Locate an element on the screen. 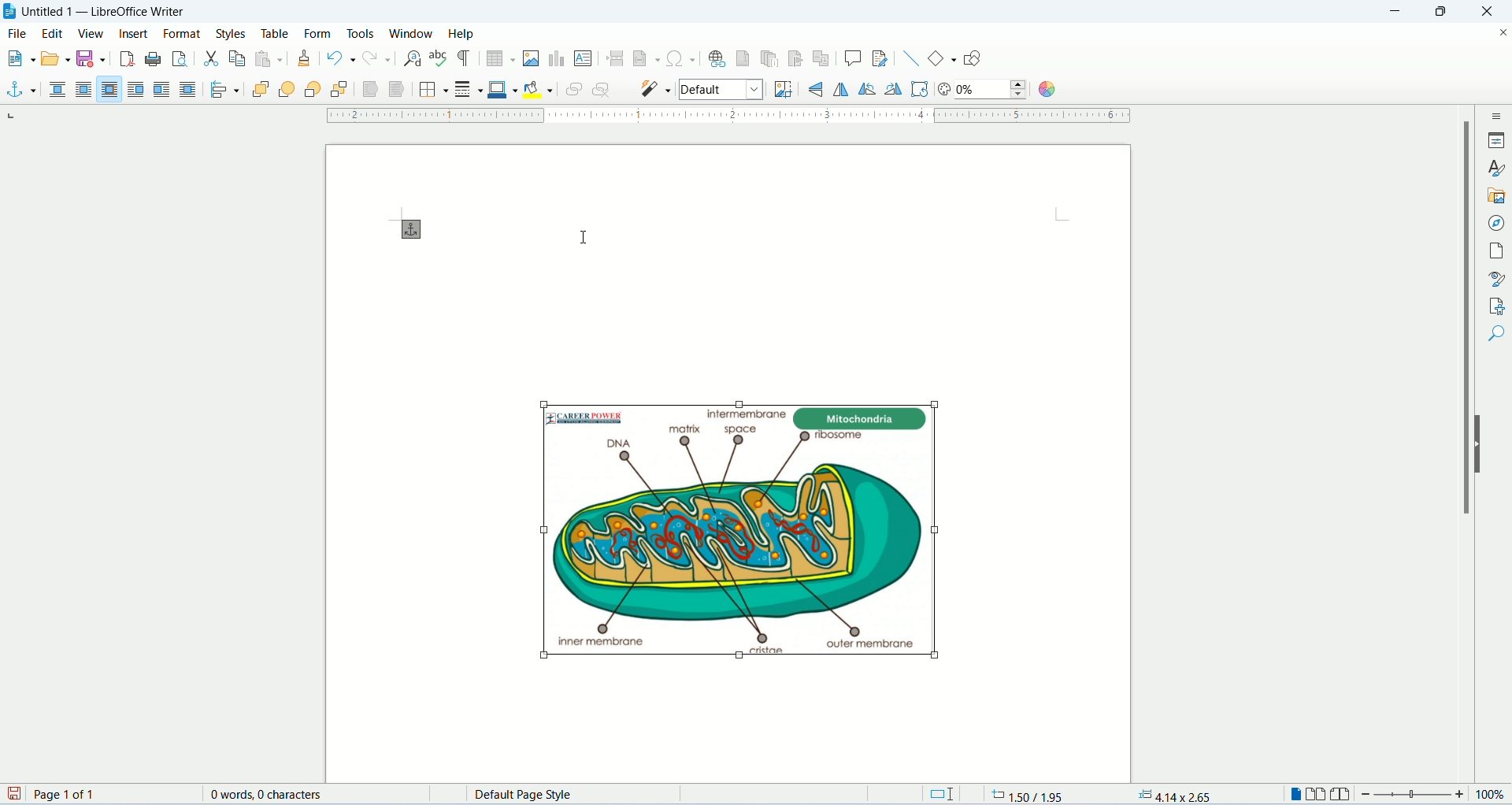  insert cross references is located at coordinates (821, 59).